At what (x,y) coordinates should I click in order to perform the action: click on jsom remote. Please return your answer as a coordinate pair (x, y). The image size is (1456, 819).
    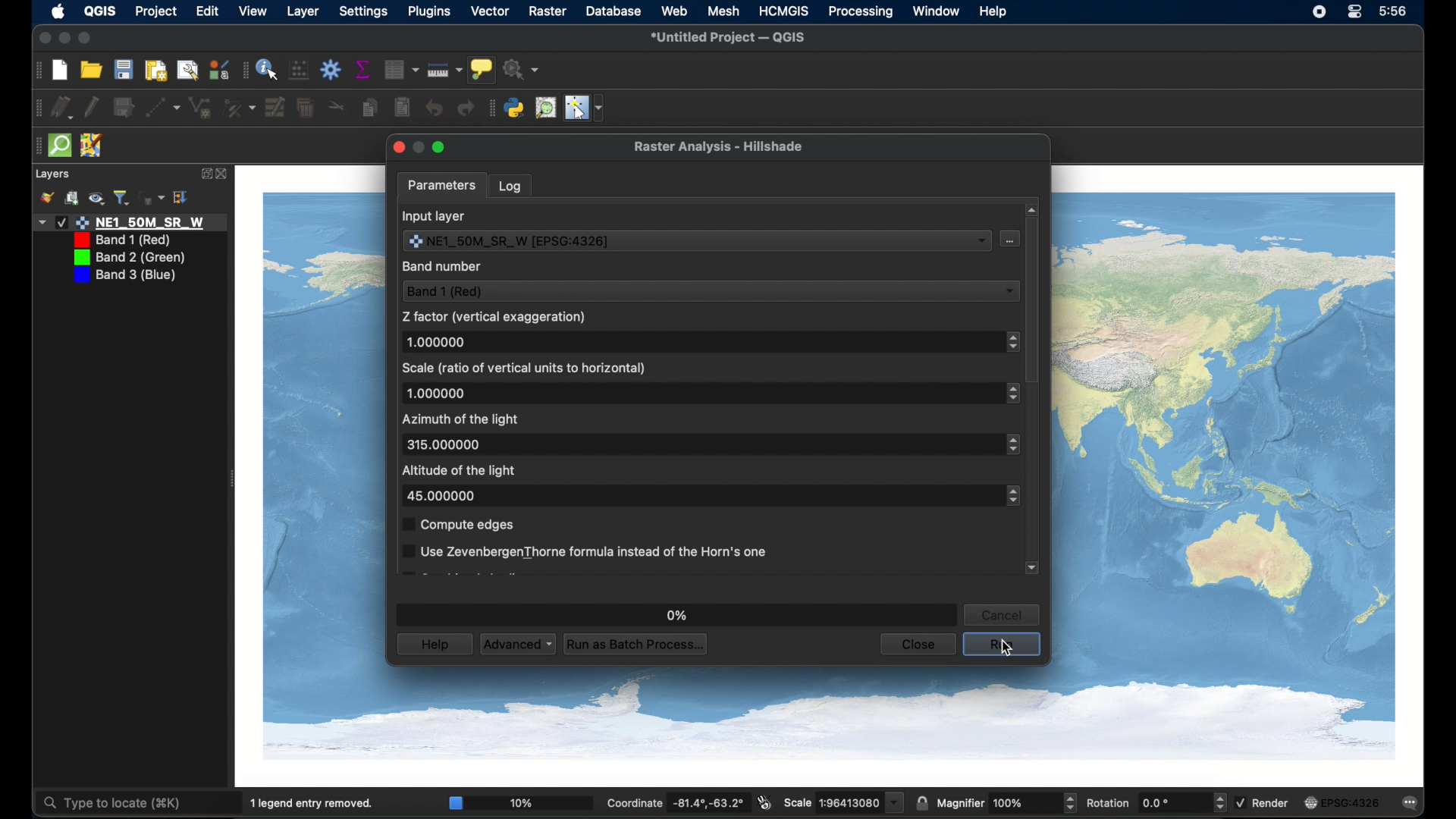
    Looking at the image, I should click on (93, 144).